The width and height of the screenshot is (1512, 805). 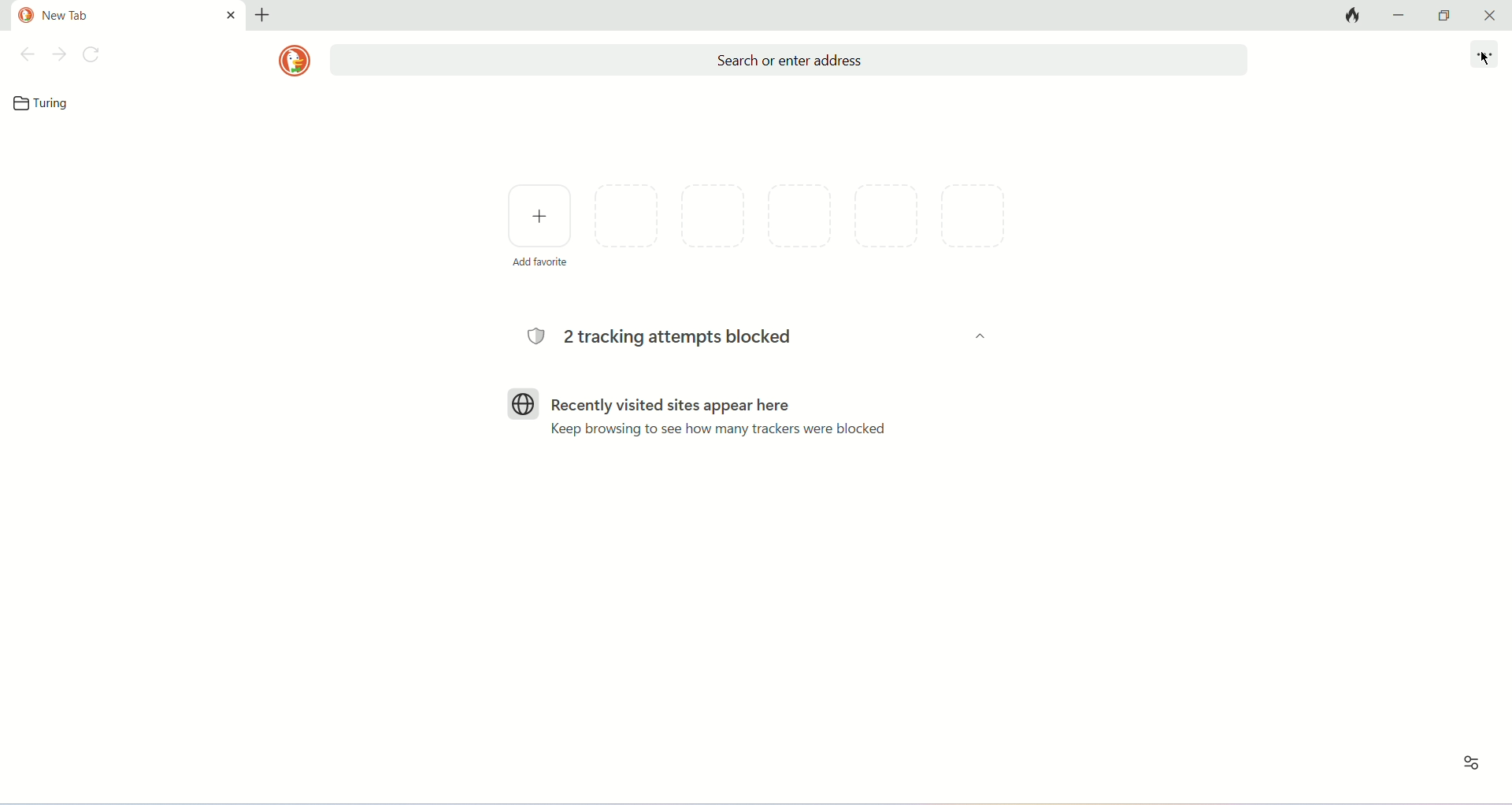 I want to click on Recently visited sites appear here
Keep browsing to see how many trackers were blocked, so click(x=725, y=415).